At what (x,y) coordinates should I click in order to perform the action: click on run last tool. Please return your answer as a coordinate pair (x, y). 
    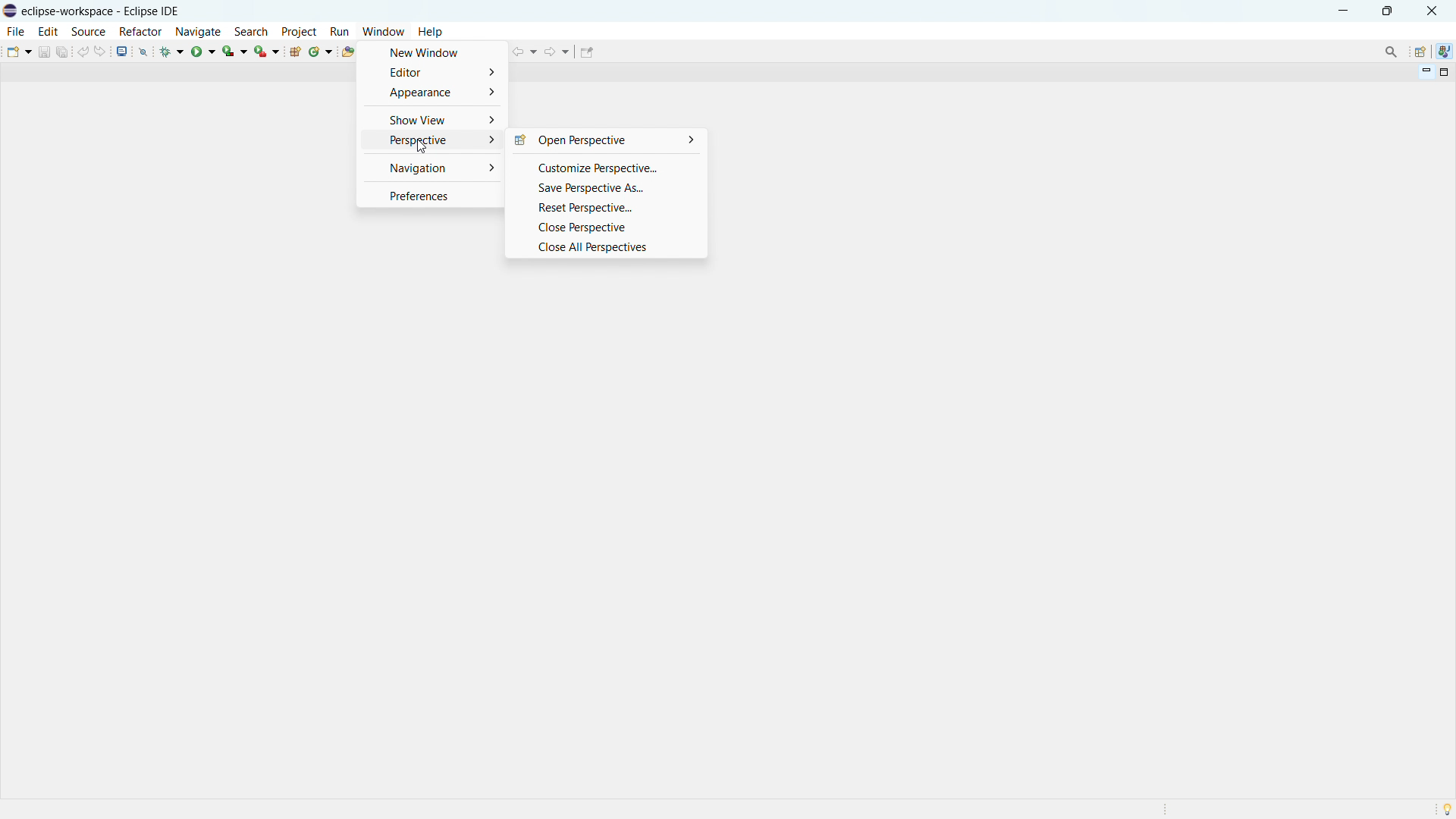
    Looking at the image, I should click on (268, 51).